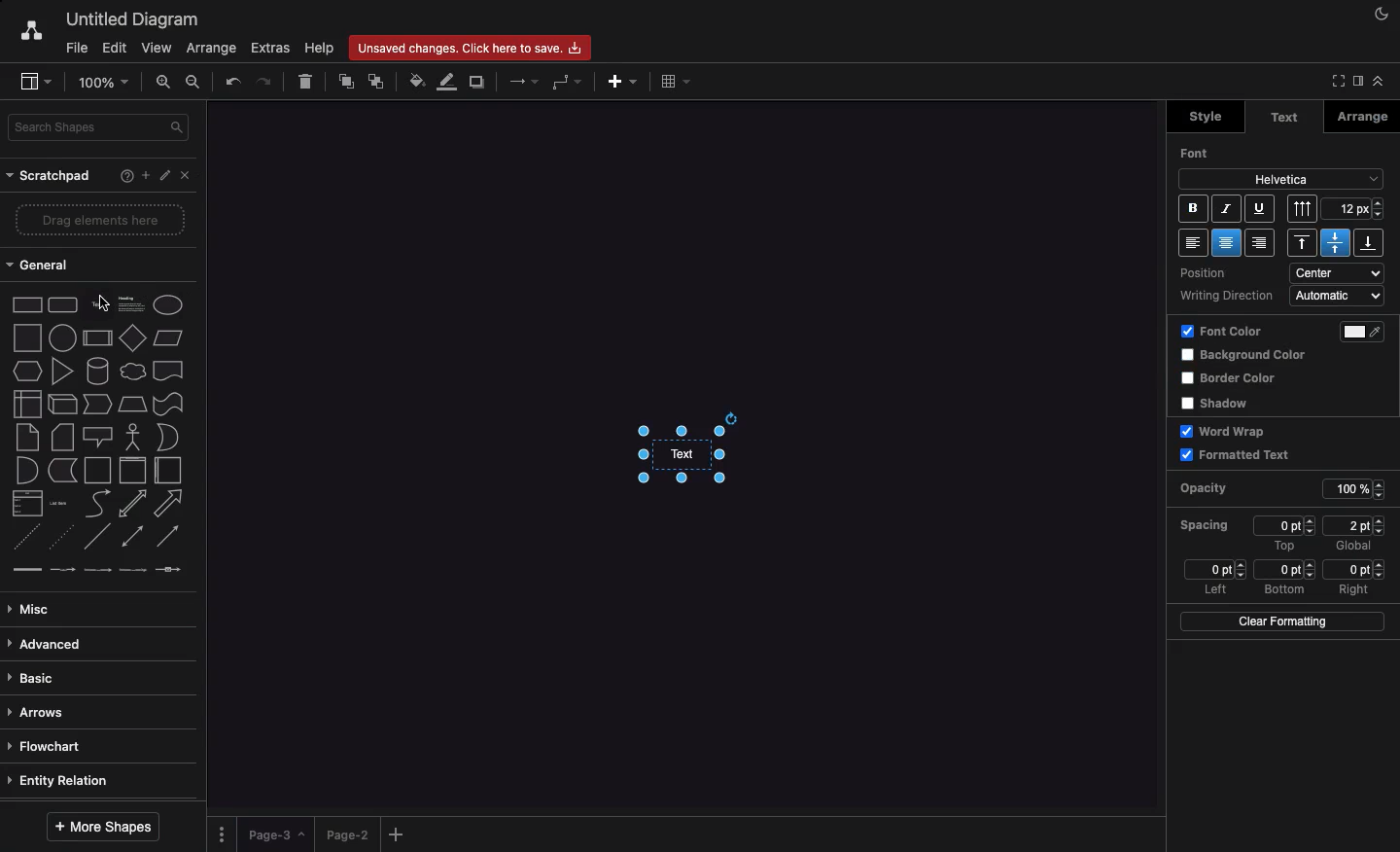 The height and width of the screenshot is (852, 1400). What do you see at coordinates (132, 405) in the screenshot?
I see `trapezoid` at bounding box center [132, 405].